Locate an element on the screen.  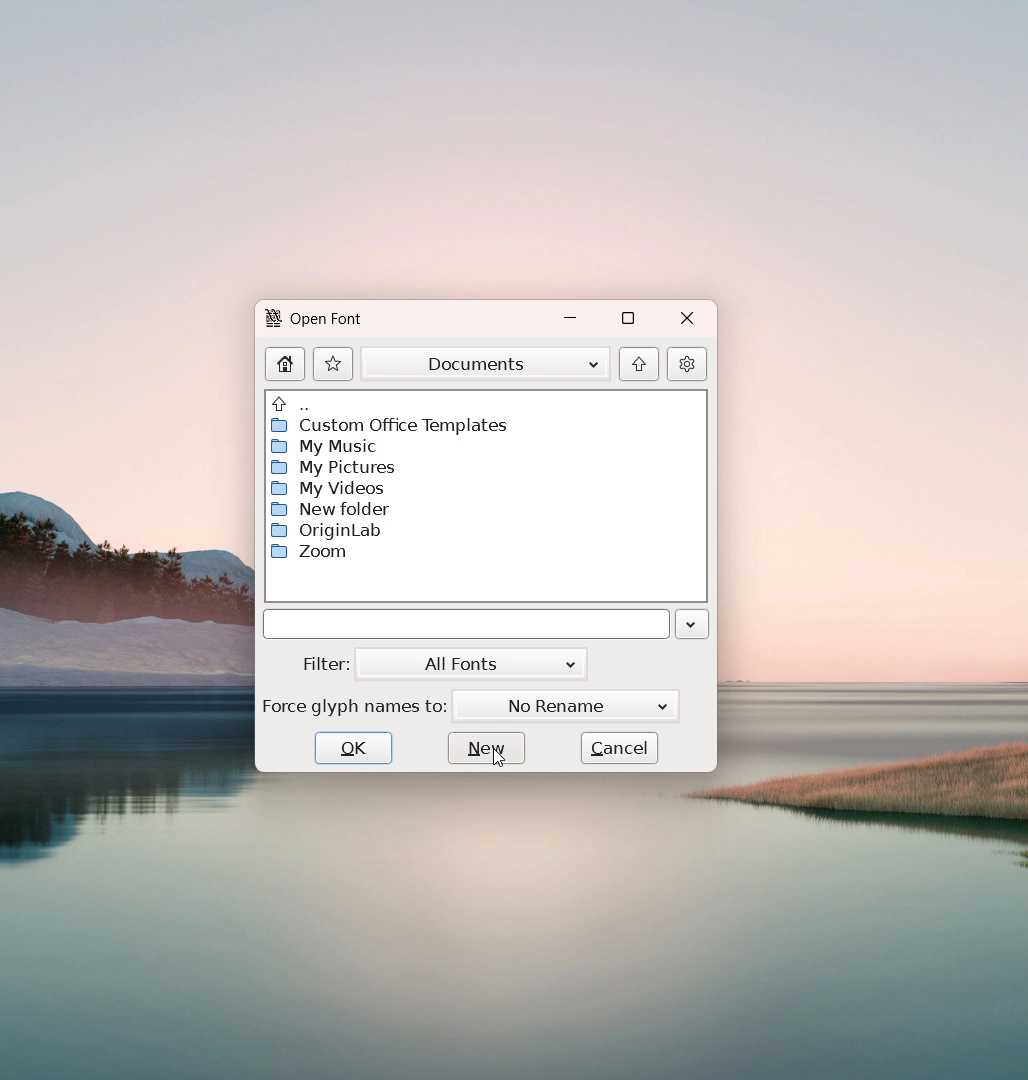
My Pictures is located at coordinates (330, 467).